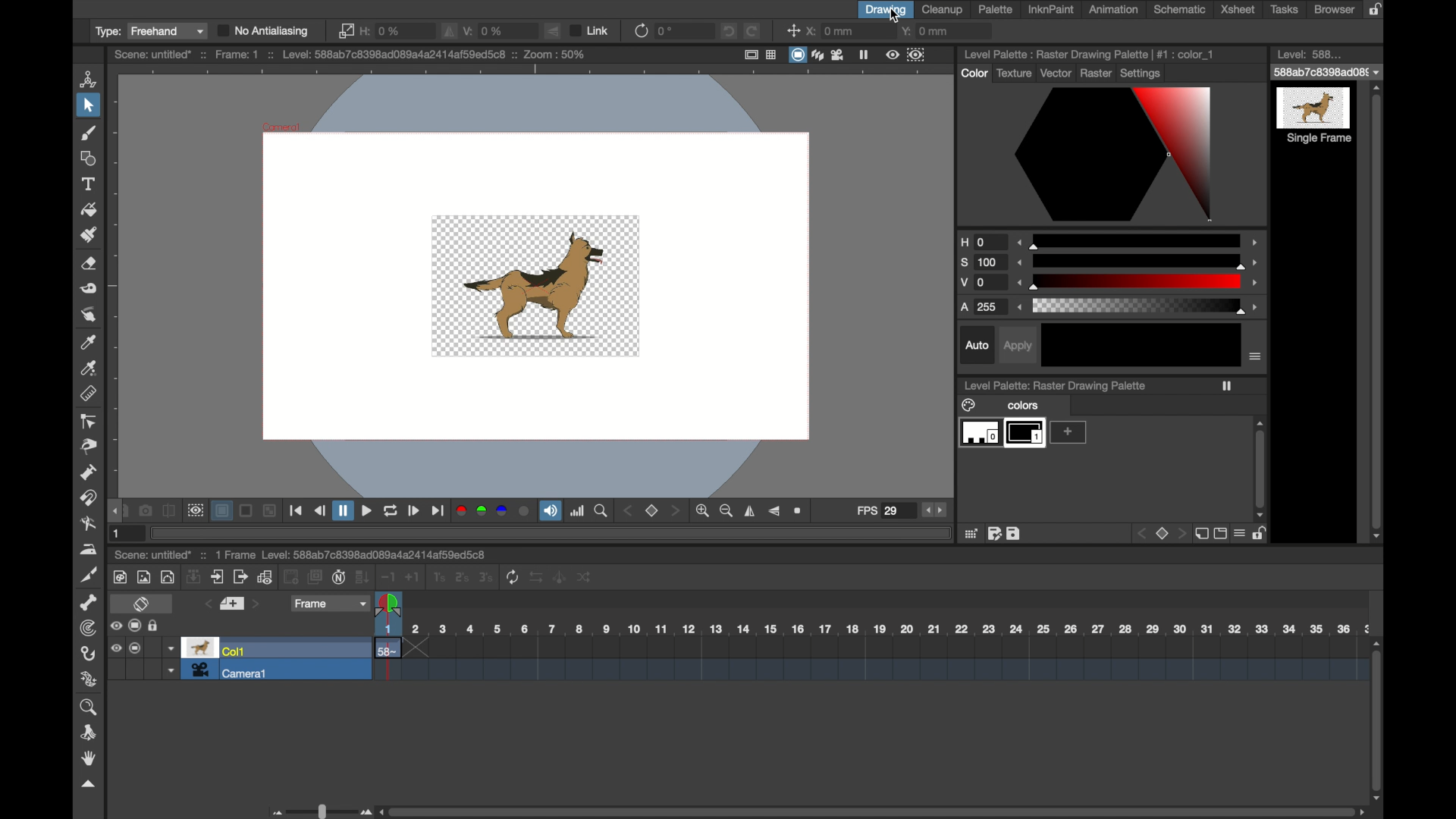  Describe the element at coordinates (231, 670) in the screenshot. I see `camera1` at that location.